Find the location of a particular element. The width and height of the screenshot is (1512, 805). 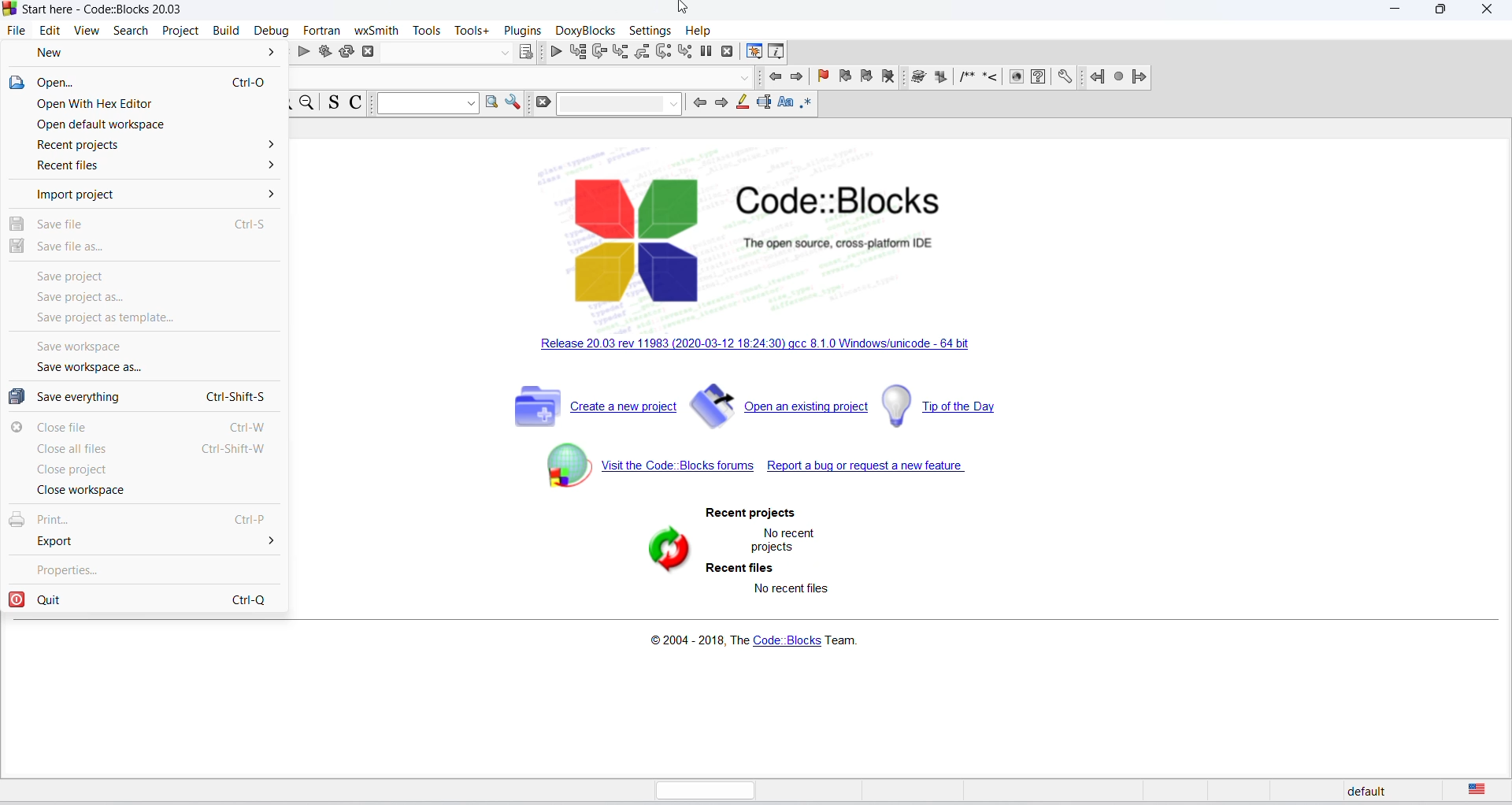

save project is located at coordinates (144, 276).